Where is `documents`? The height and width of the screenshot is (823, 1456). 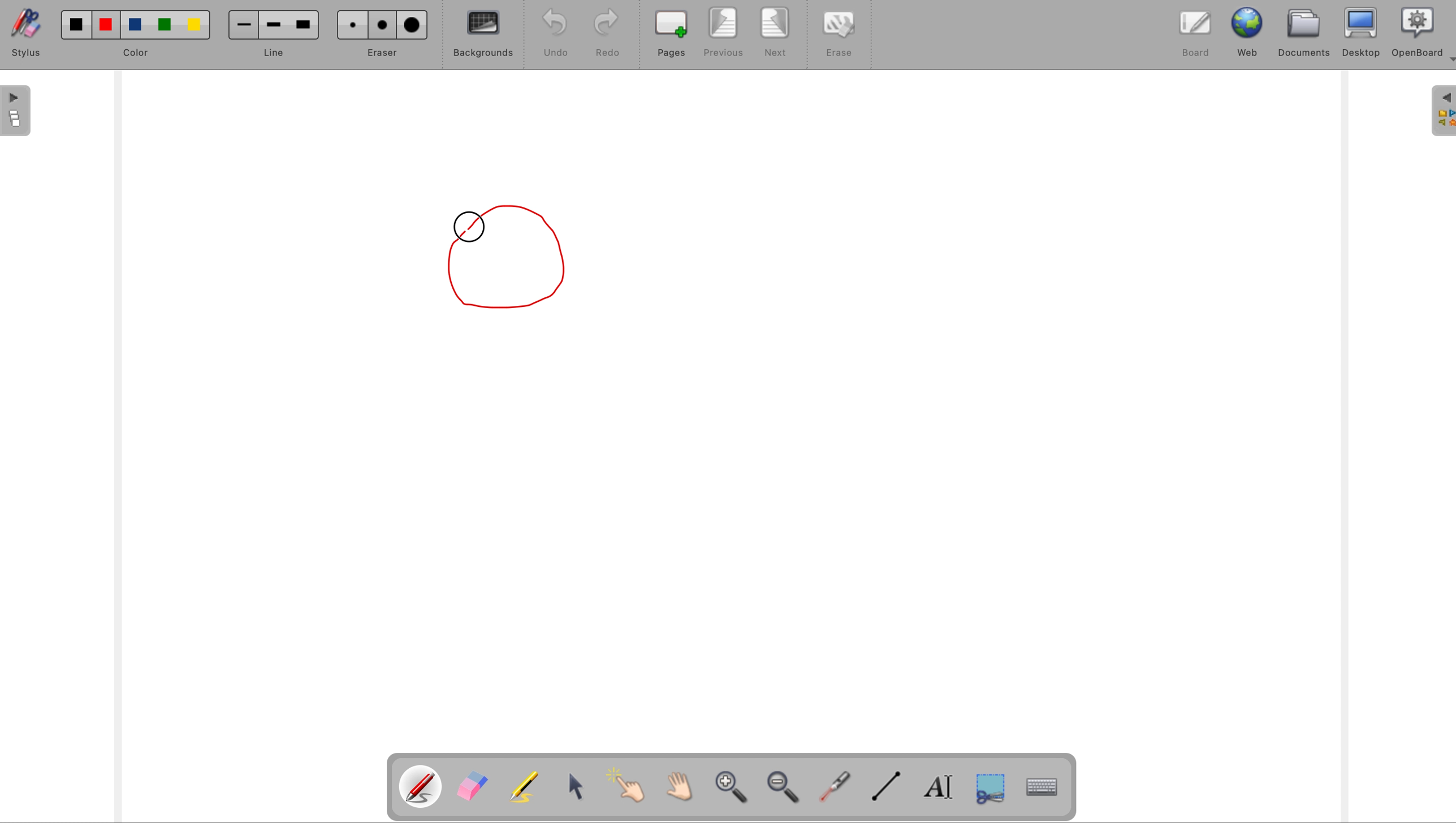 documents is located at coordinates (1307, 33).